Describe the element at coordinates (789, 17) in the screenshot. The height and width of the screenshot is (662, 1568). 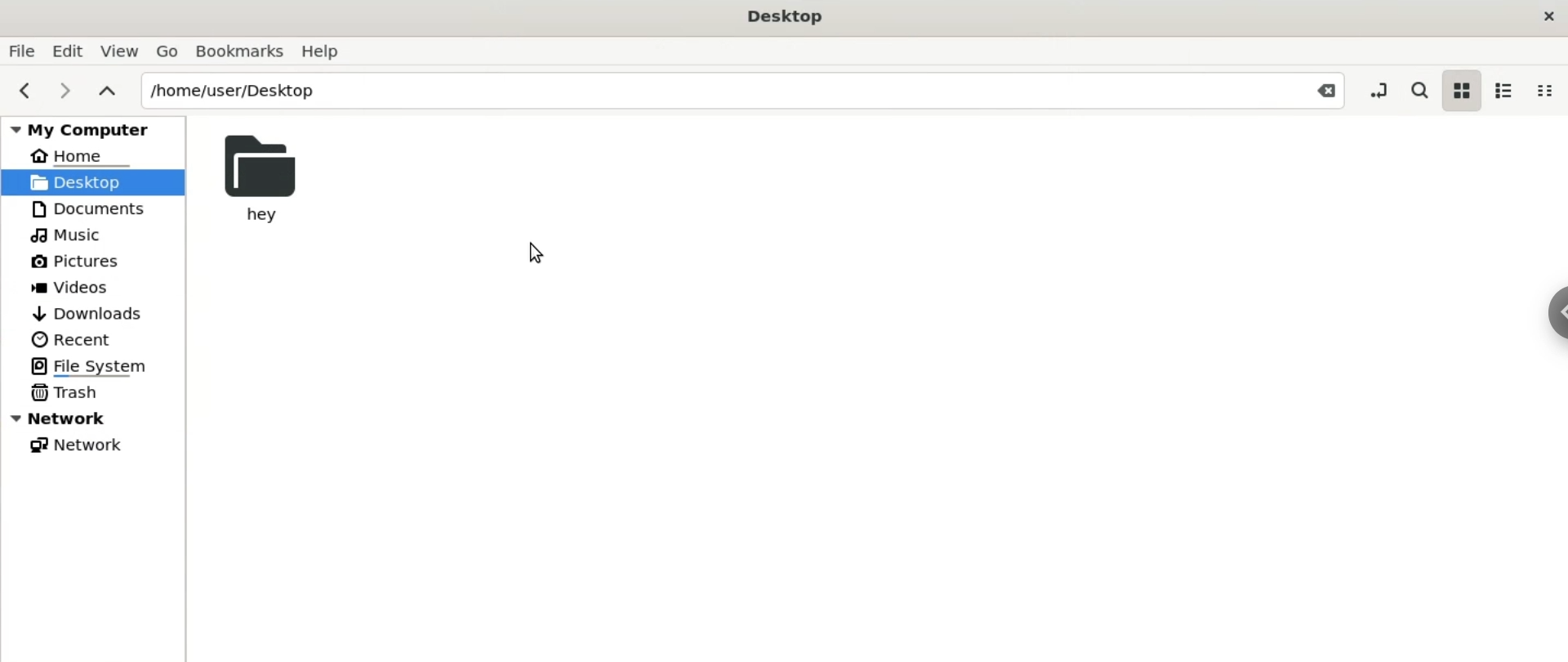
I see `desktop ` at that location.